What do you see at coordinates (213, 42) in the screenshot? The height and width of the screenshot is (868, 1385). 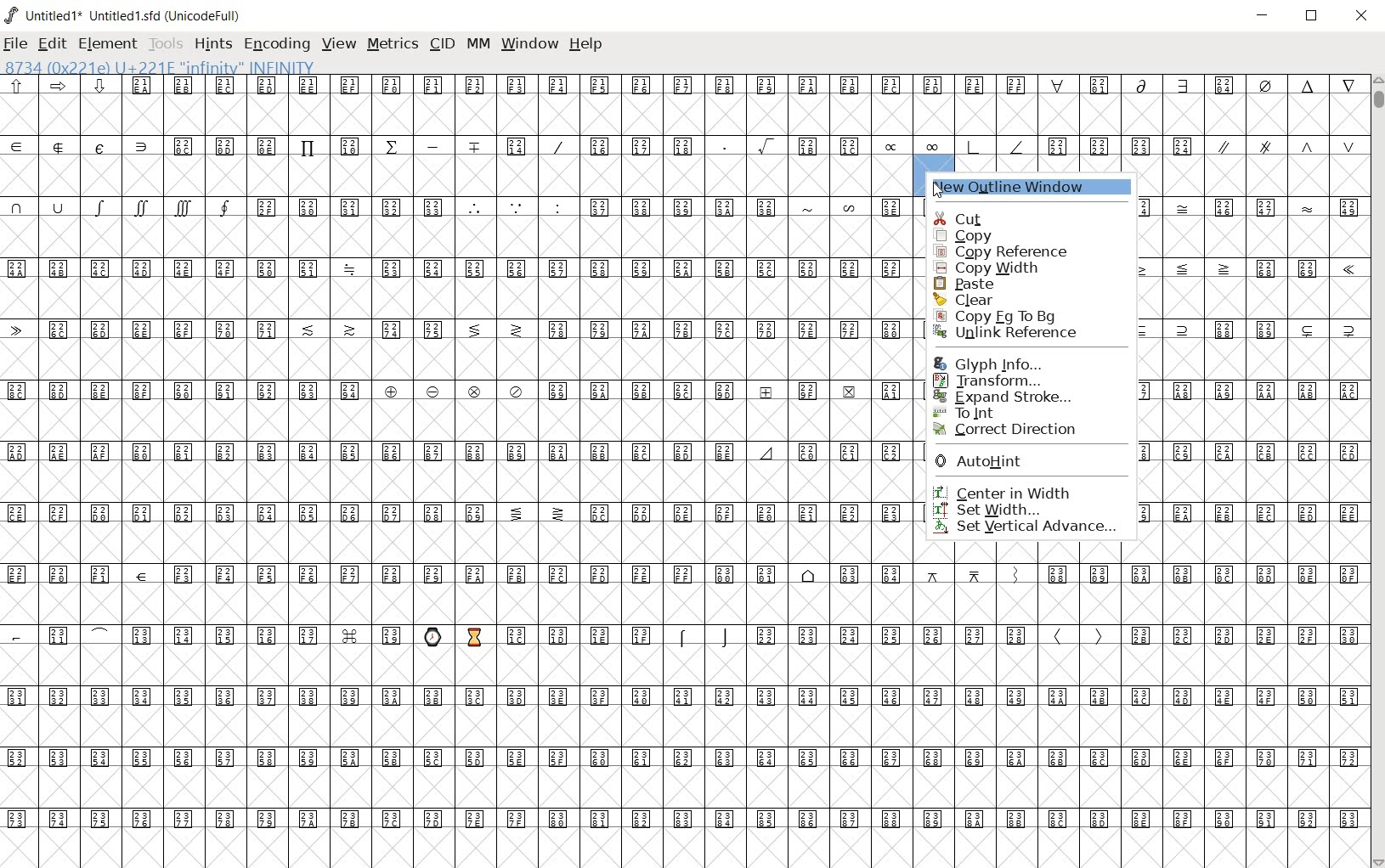 I see `hints` at bounding box center [213, 42].